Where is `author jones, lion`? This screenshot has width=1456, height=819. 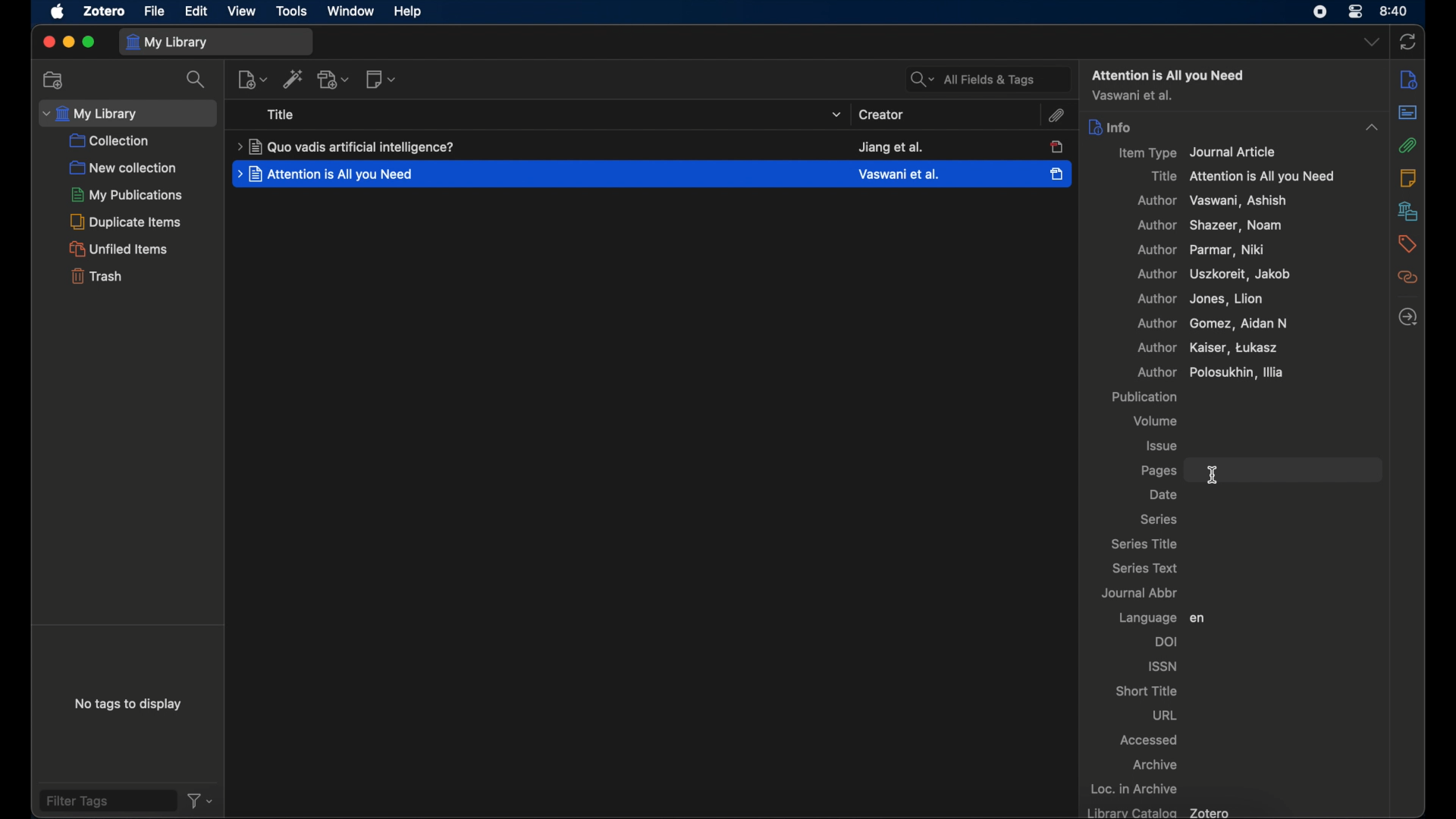 author jones, lion is located at coordinates (1202, 300).